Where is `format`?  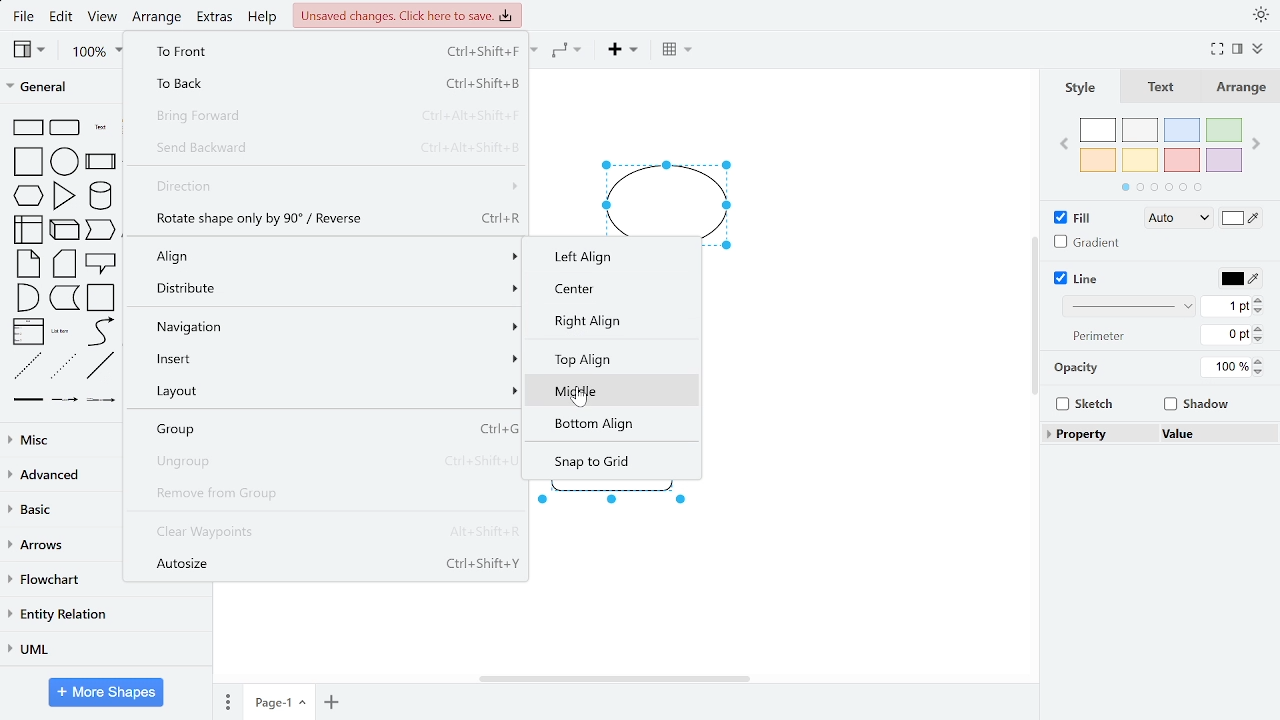
format is located at coordinates (1237, 49).